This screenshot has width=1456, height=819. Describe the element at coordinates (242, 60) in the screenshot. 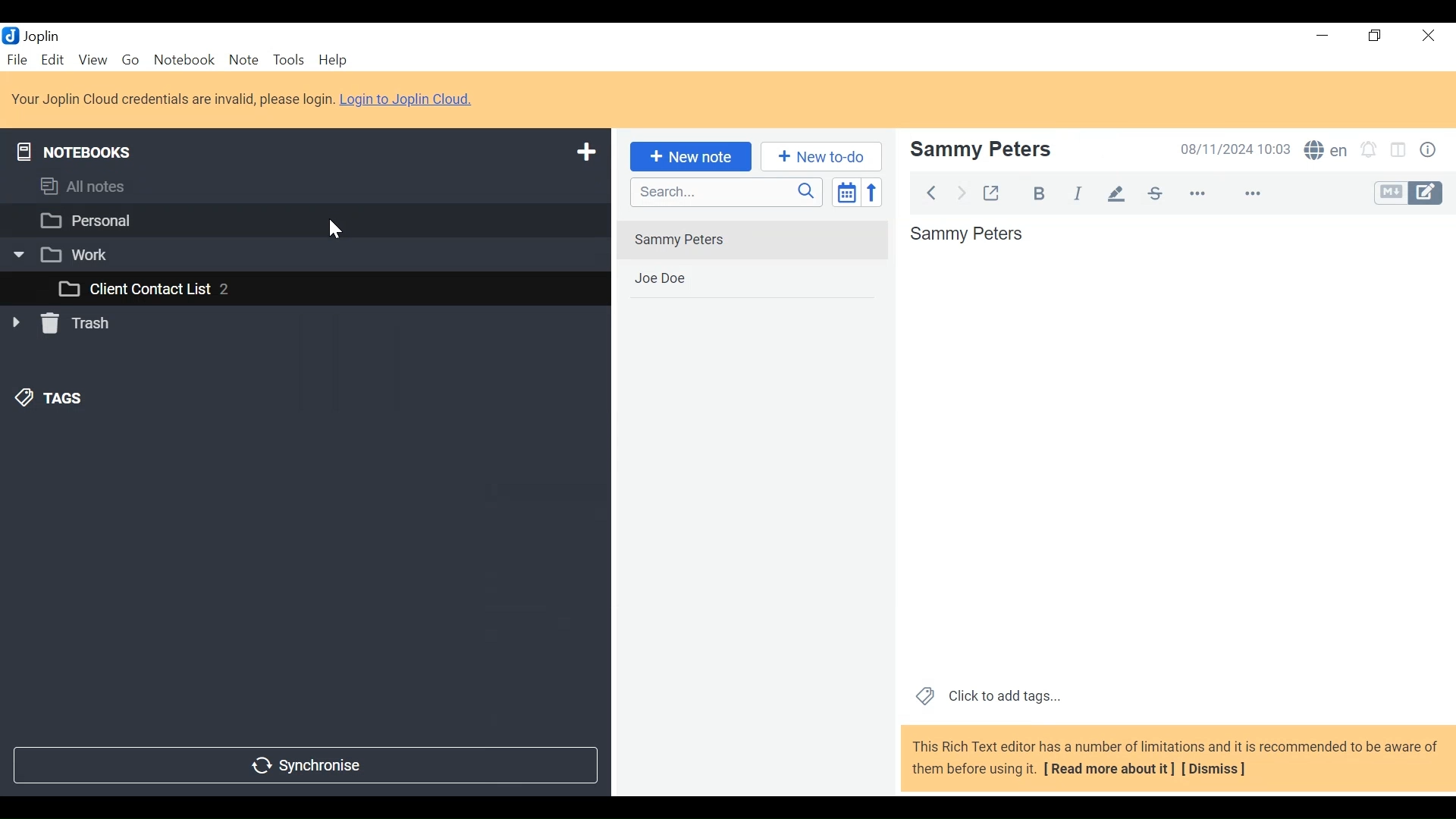

I see `Note` at that location.